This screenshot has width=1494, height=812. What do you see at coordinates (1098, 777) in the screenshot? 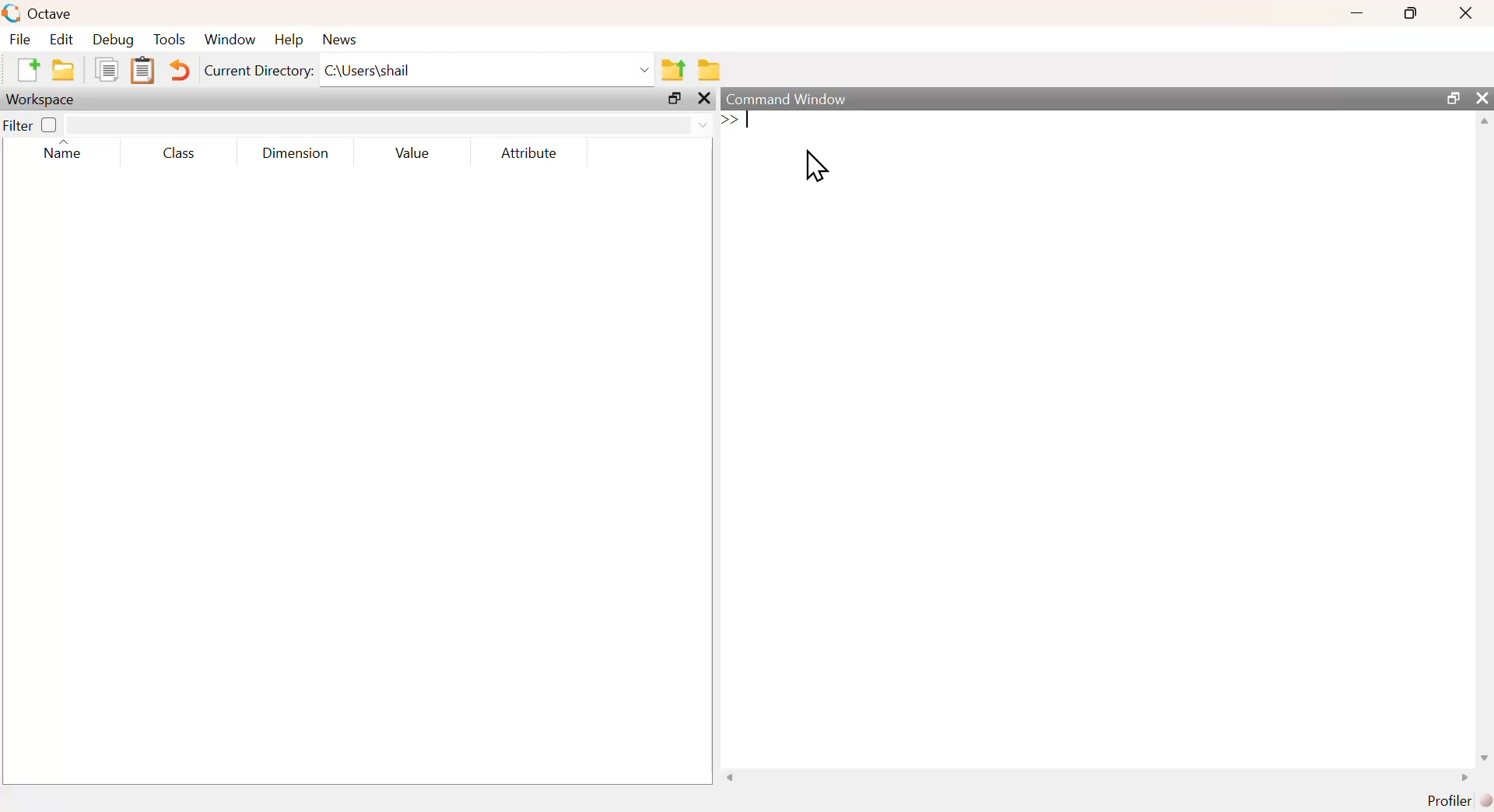
I see `scrollbar` at bounding box center [1098, 777].